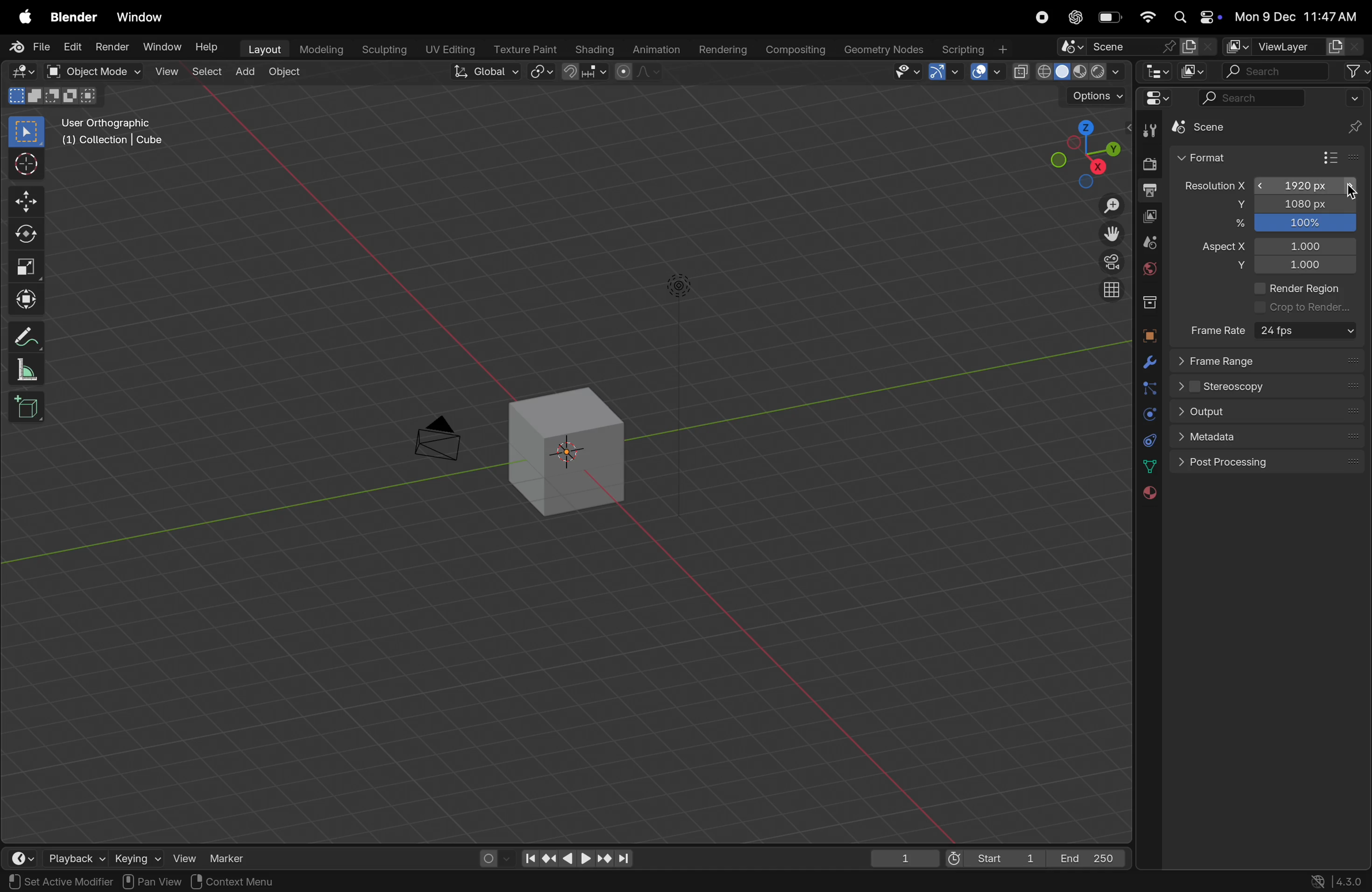 Image resolution: width=1372 pixels, height=892 pixels. What do you see at coordinates (1353, 116) in the screenshot?
I see `pins` at bounding box center [1353, 116].